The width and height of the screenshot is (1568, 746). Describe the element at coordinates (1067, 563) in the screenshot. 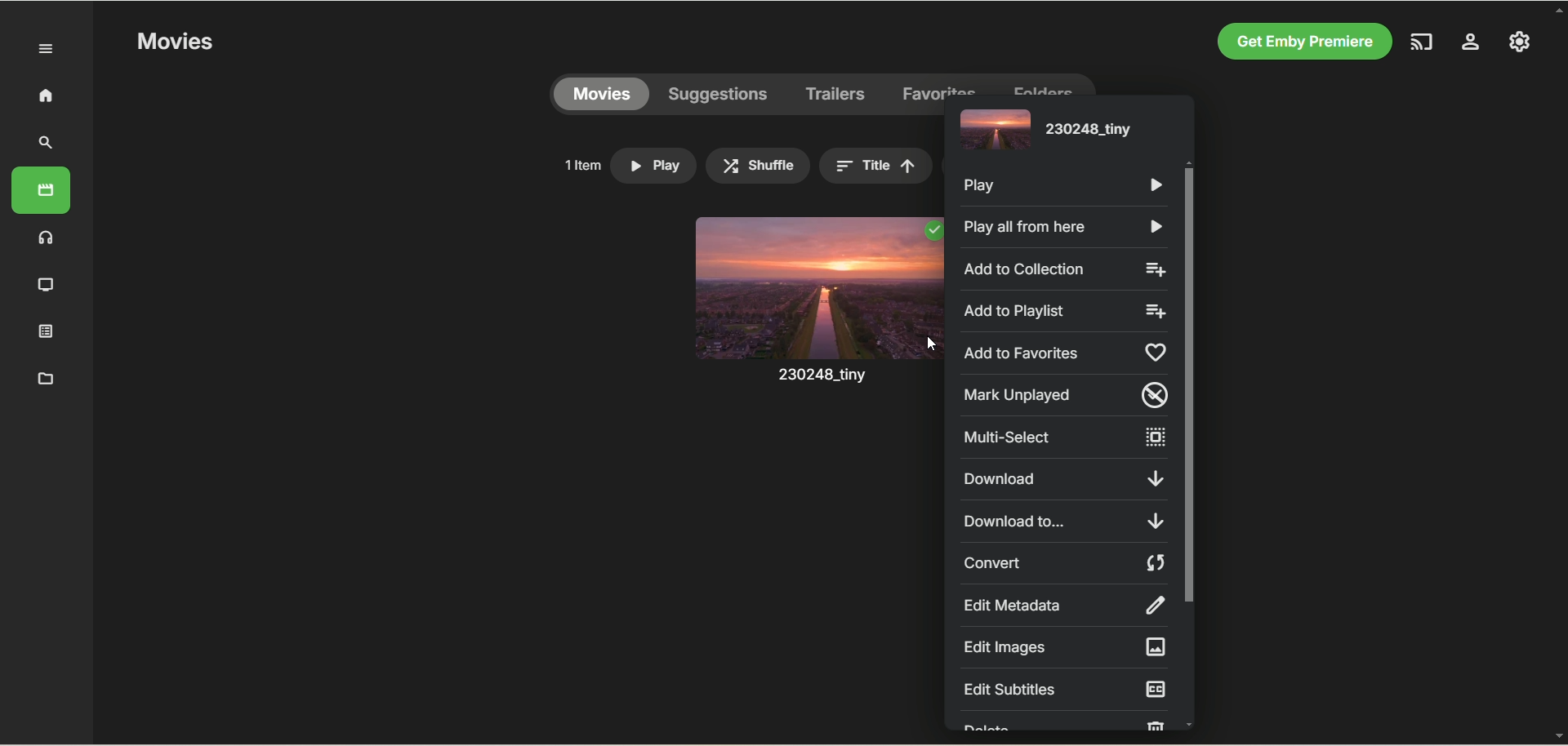

I see `convert` at that location.